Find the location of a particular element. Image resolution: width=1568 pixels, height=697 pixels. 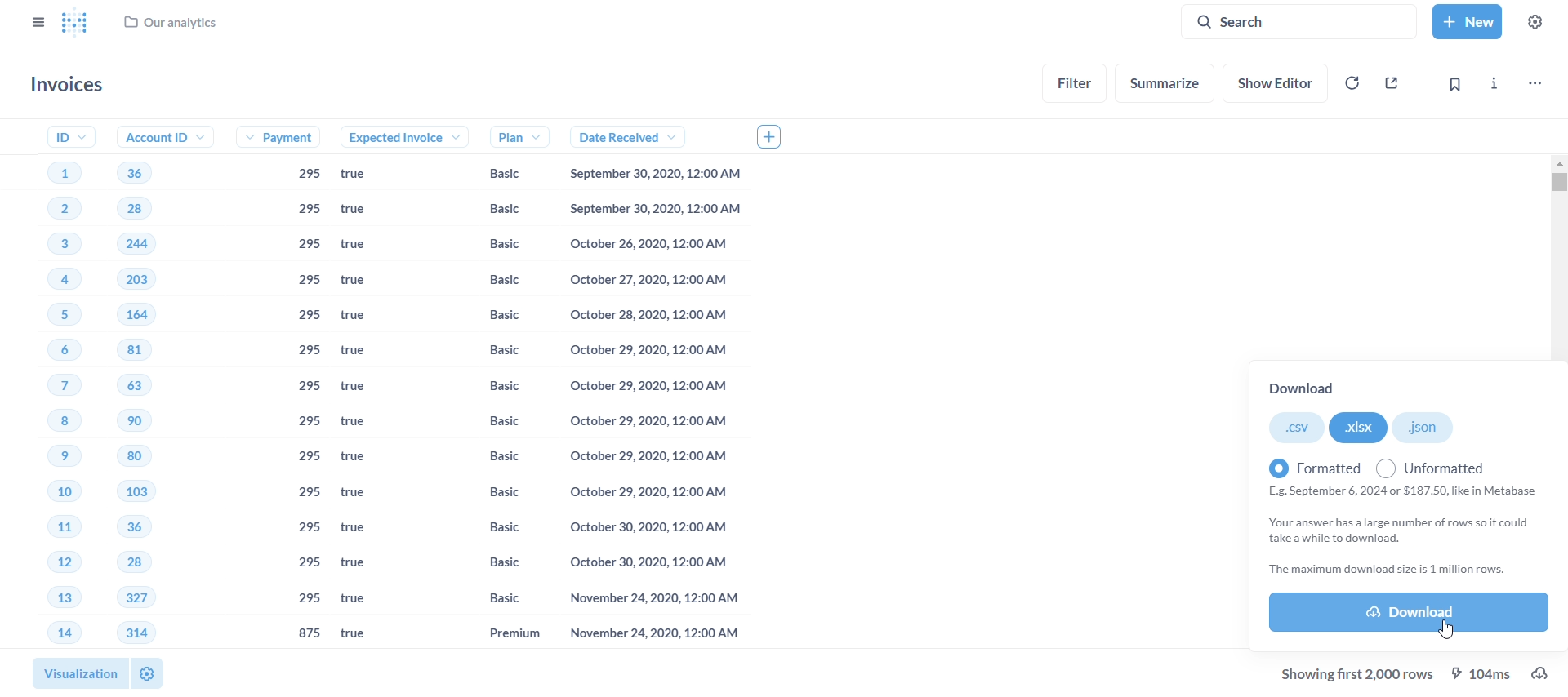

basic is located at coordinates (491, 598).